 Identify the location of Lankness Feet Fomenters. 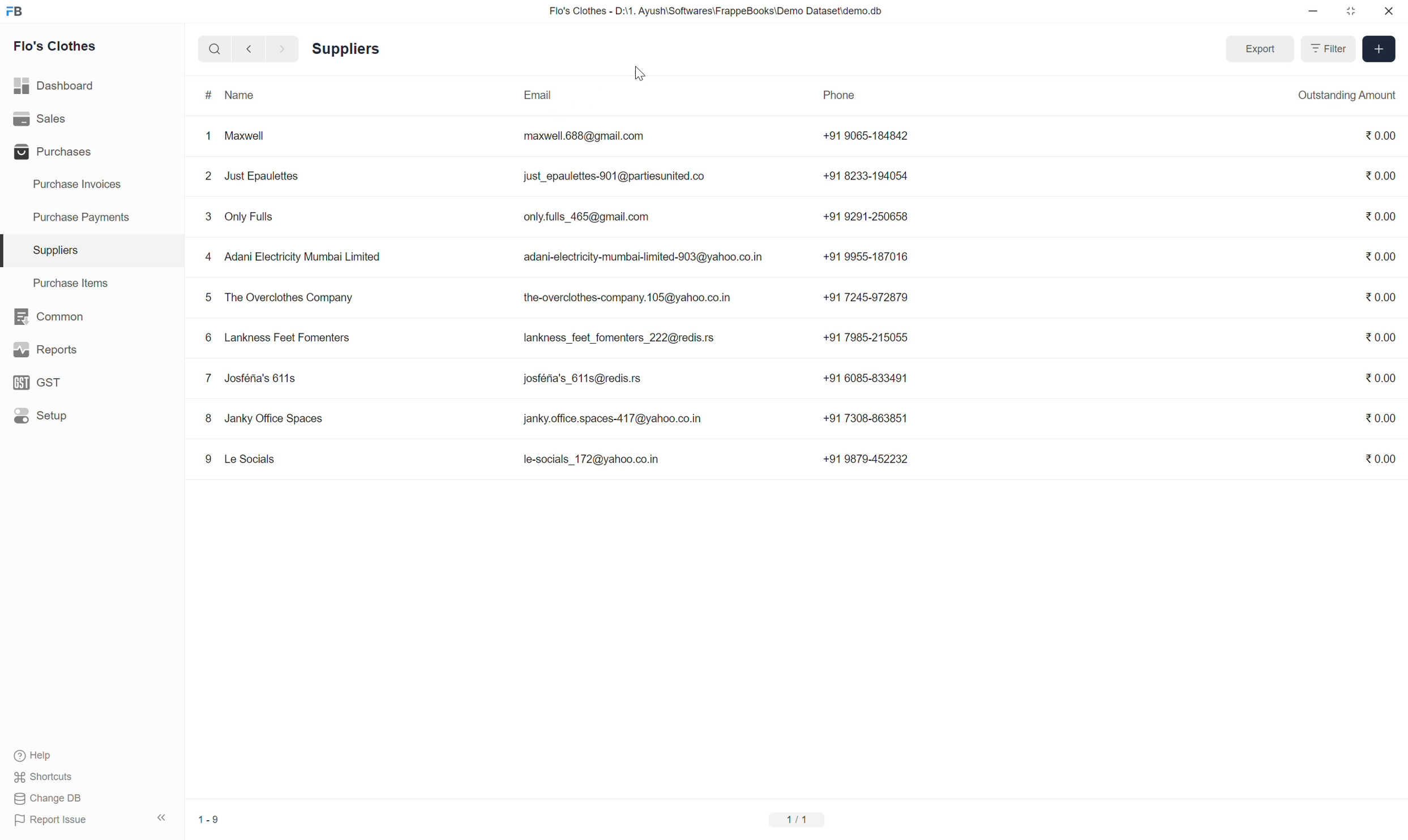
(289, 338).